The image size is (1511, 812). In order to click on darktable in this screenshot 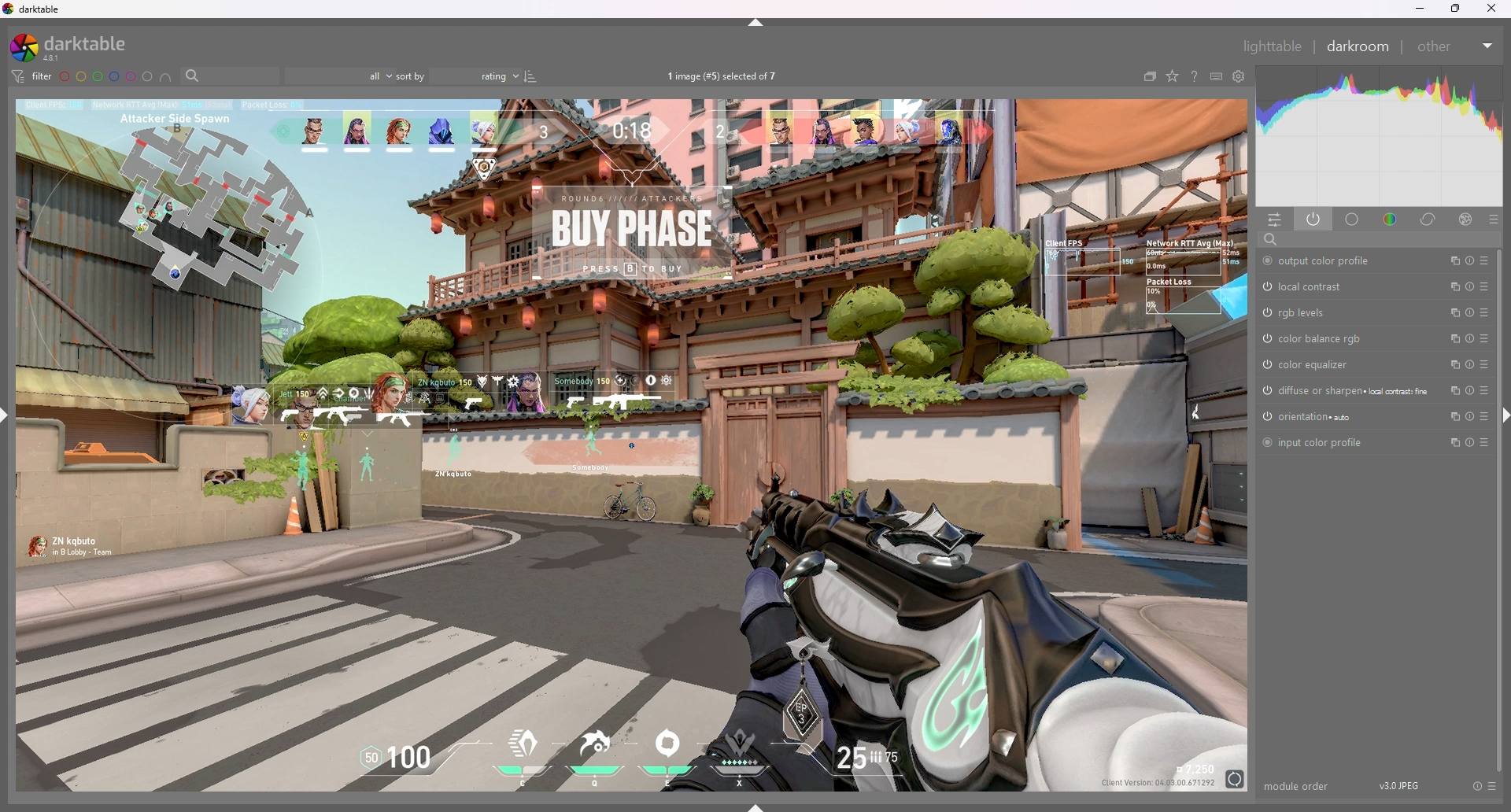, I will do `click(73, 47)`.